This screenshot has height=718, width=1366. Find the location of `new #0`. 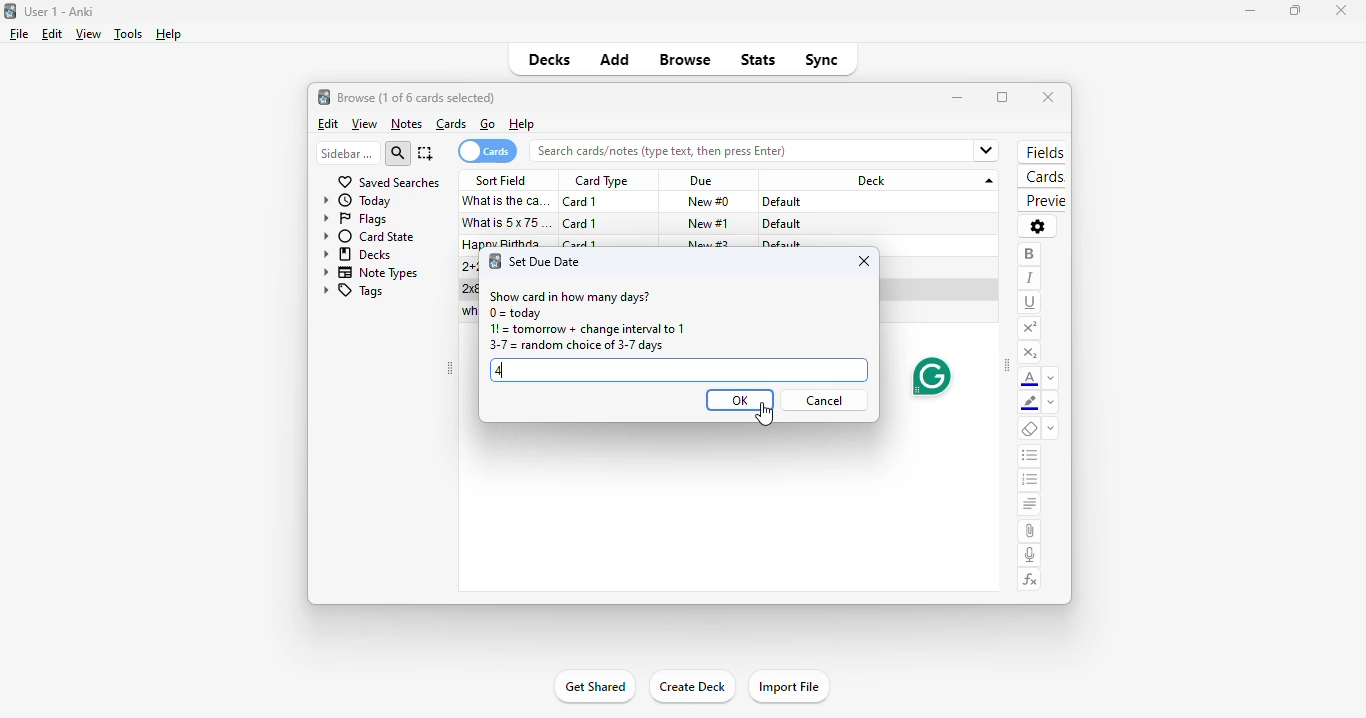

new #0 is located at coordinates (708, 202).